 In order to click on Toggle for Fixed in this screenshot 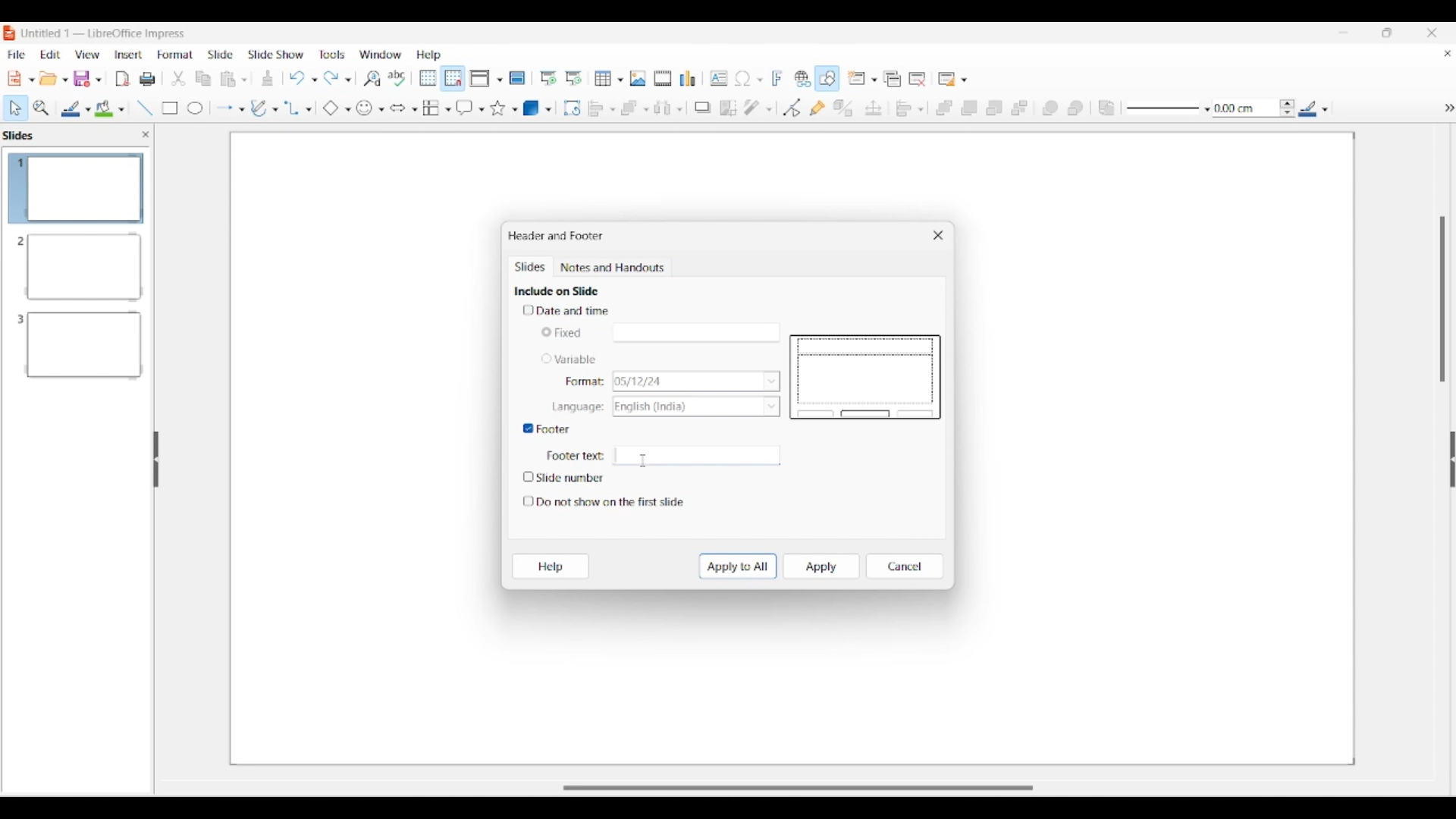, I will do `click(564, 333)`.